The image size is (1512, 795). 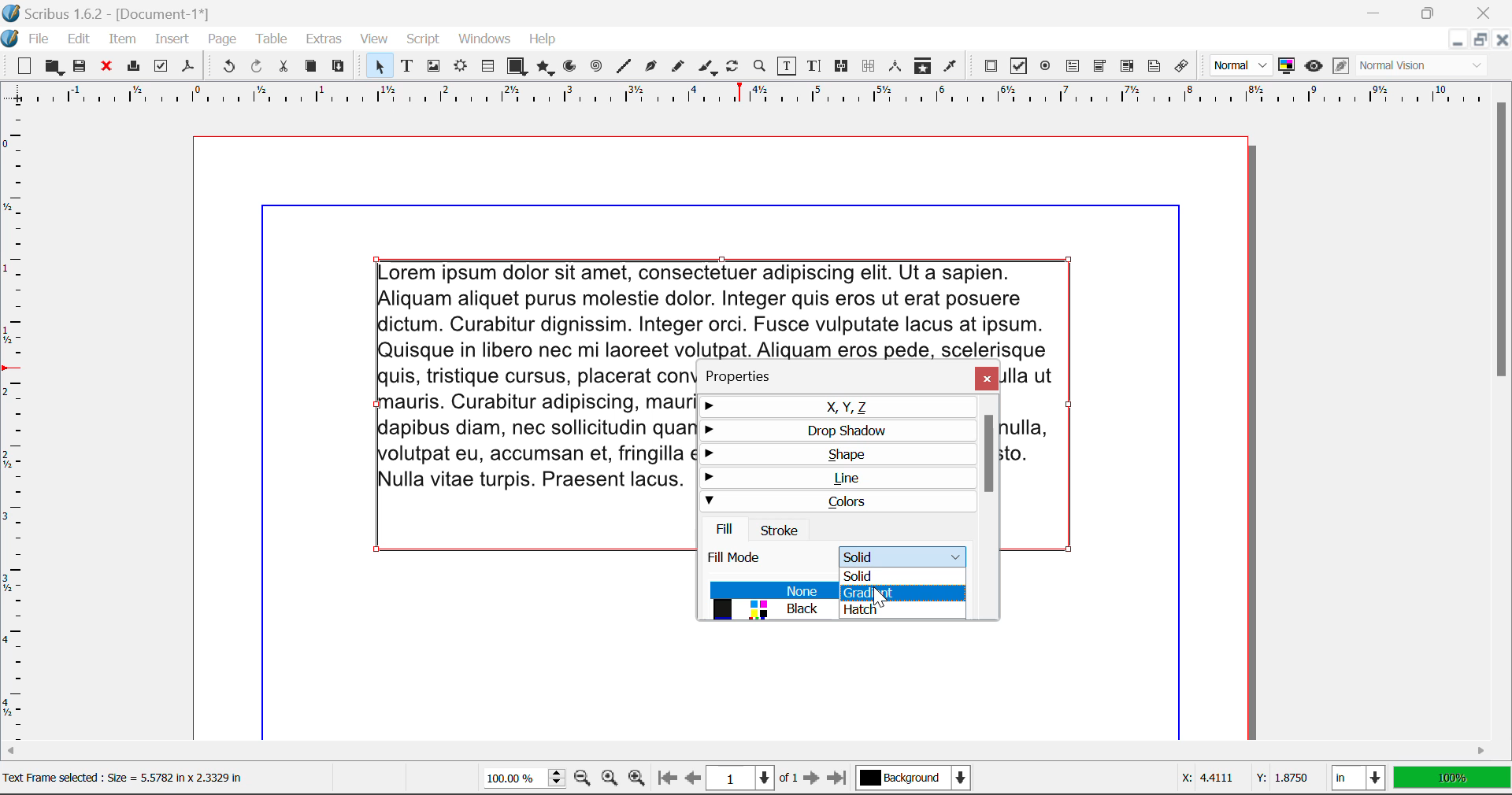 I want to click on Edit, so click(x=79, y=39).